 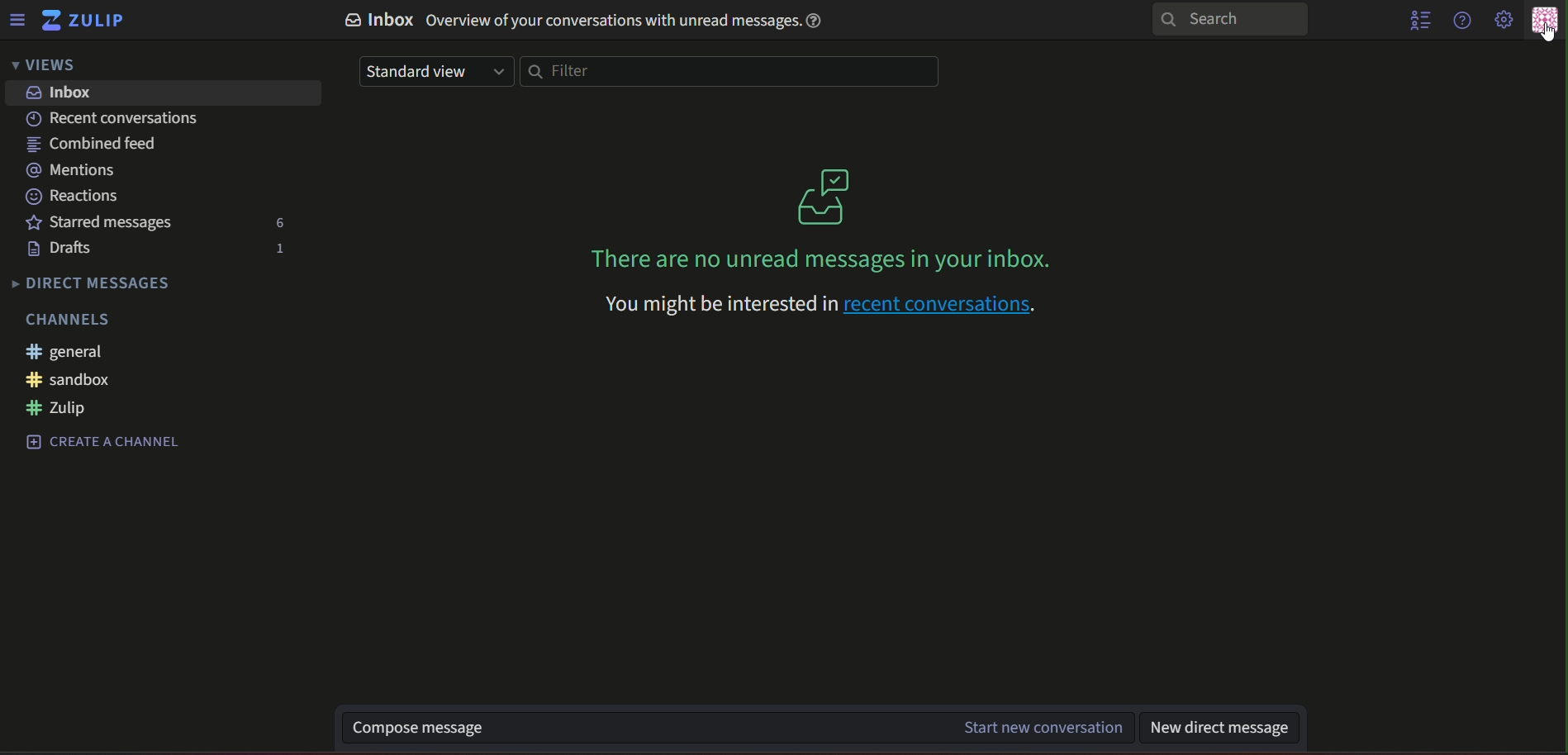 What do you see at coordinates (1415, 21) in the screenshot?
I see `hide menu` at bounding box center [1415, 21].